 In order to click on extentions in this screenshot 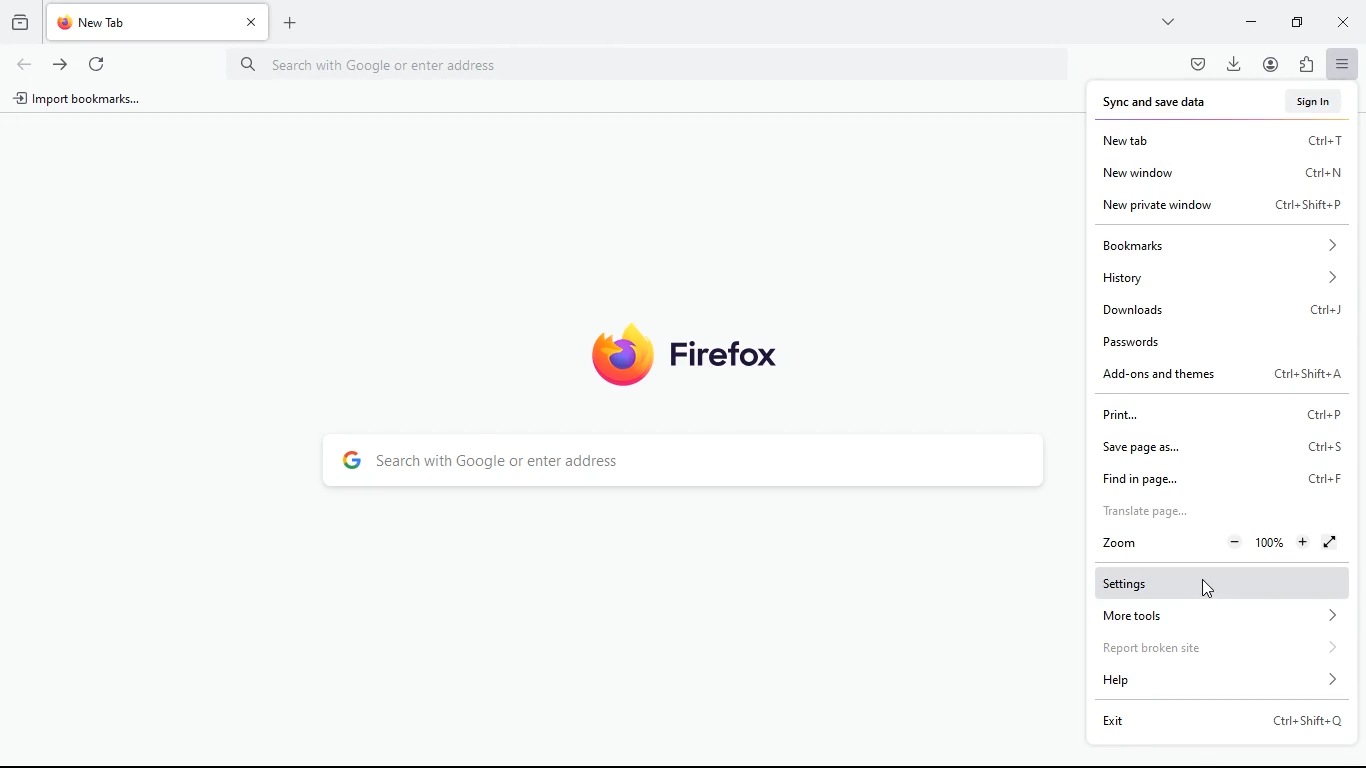, I will do `click(1303, 65)`.